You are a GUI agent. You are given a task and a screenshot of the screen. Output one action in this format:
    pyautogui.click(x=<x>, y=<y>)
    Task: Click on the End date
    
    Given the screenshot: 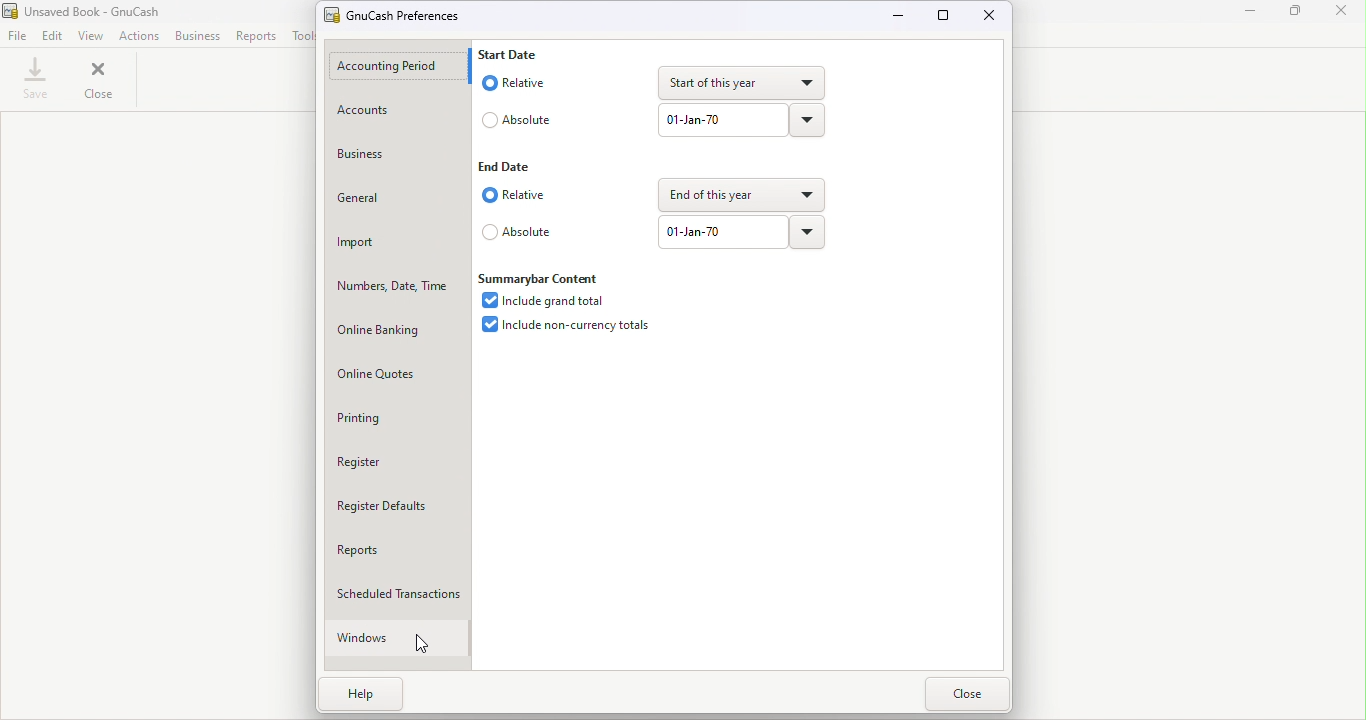 What is the action you would take?
    pyautogui.click(x=510, y=168)
    